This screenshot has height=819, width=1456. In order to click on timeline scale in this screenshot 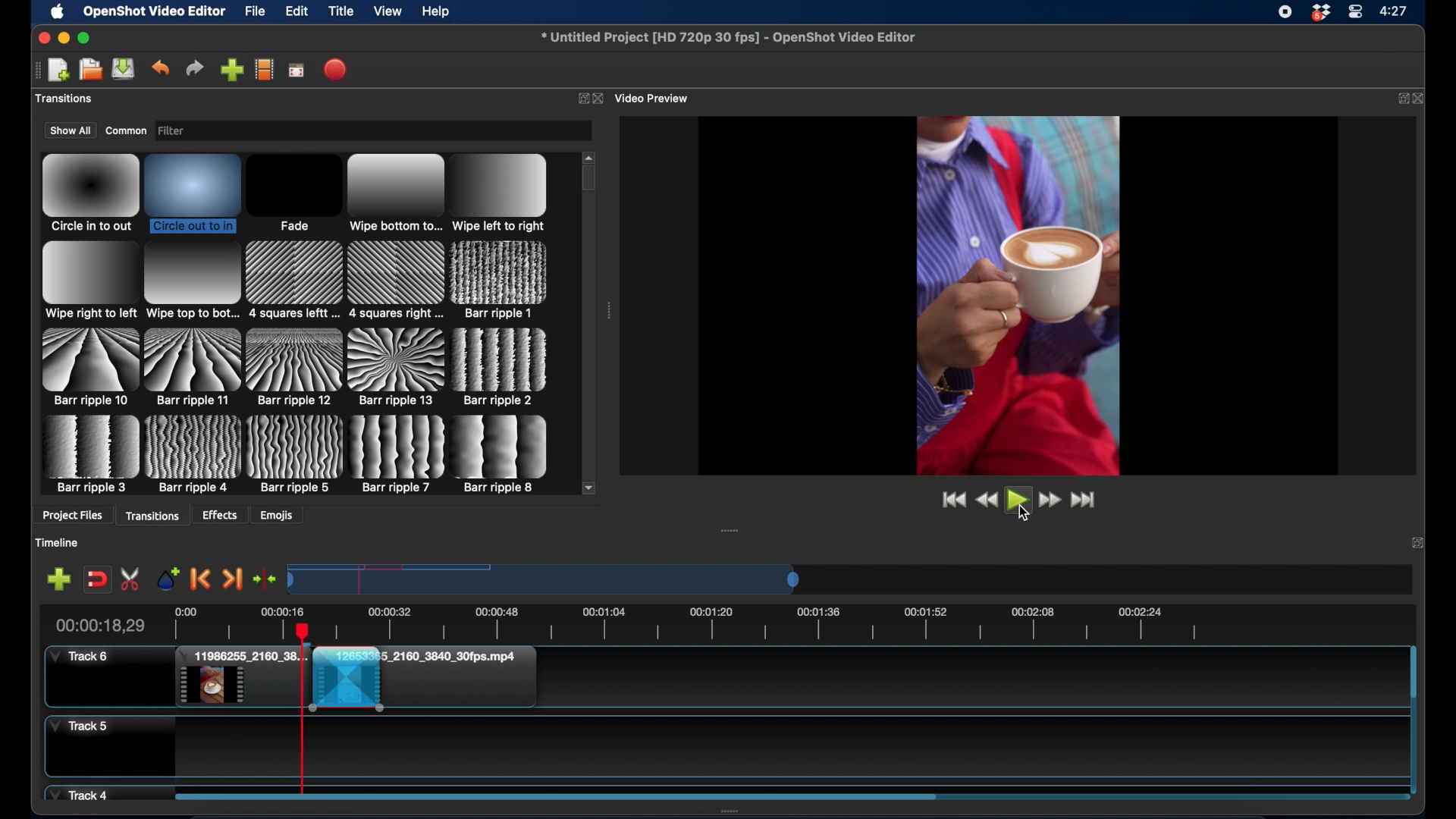, I will do `click(546, 579)`.